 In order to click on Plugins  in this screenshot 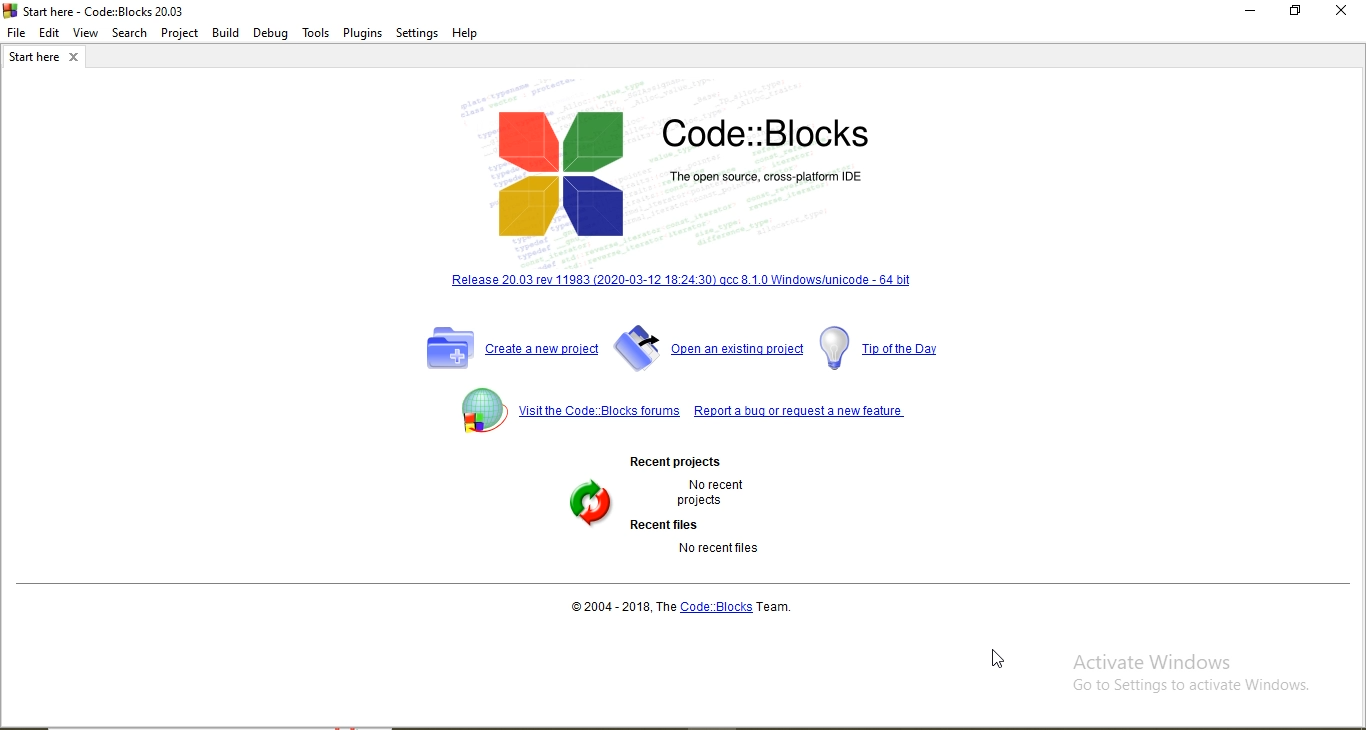, I will do `click(364, 31)`.